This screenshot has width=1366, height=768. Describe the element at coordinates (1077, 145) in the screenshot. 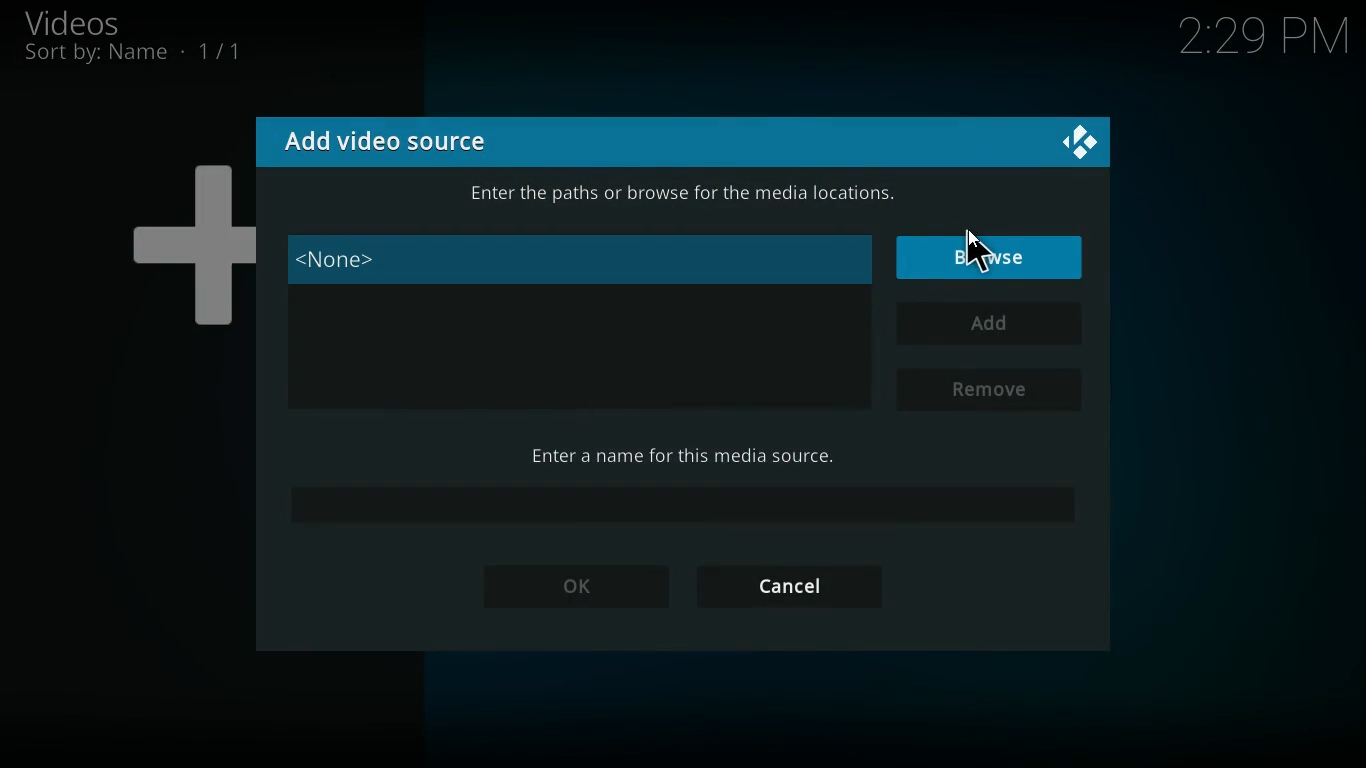

I see `kodi logo` at that location.